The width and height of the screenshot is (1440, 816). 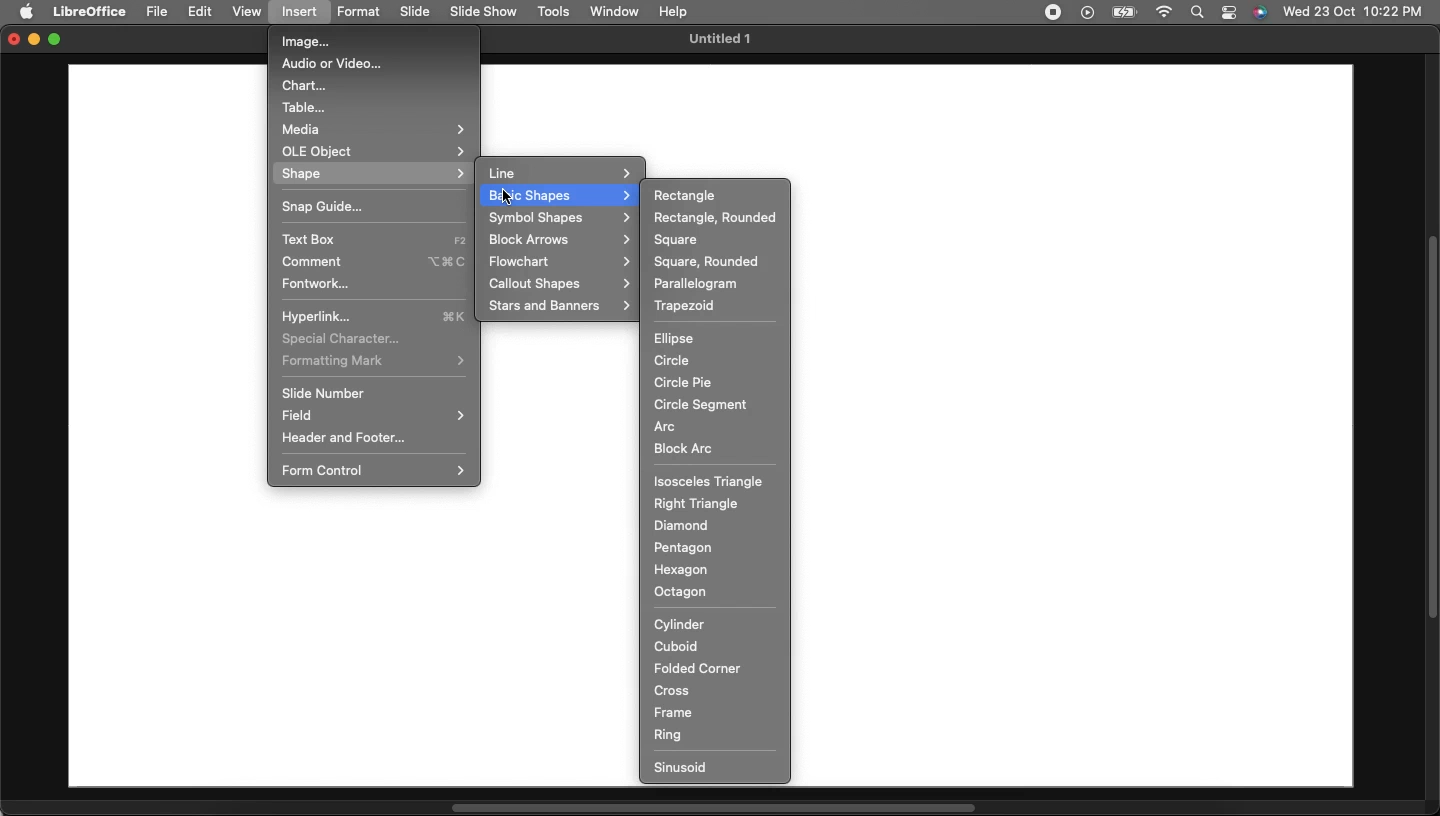 What do you see at coordinates (616, 11) in the screenshot?
I see `Window` at bounding box center [616, 11].